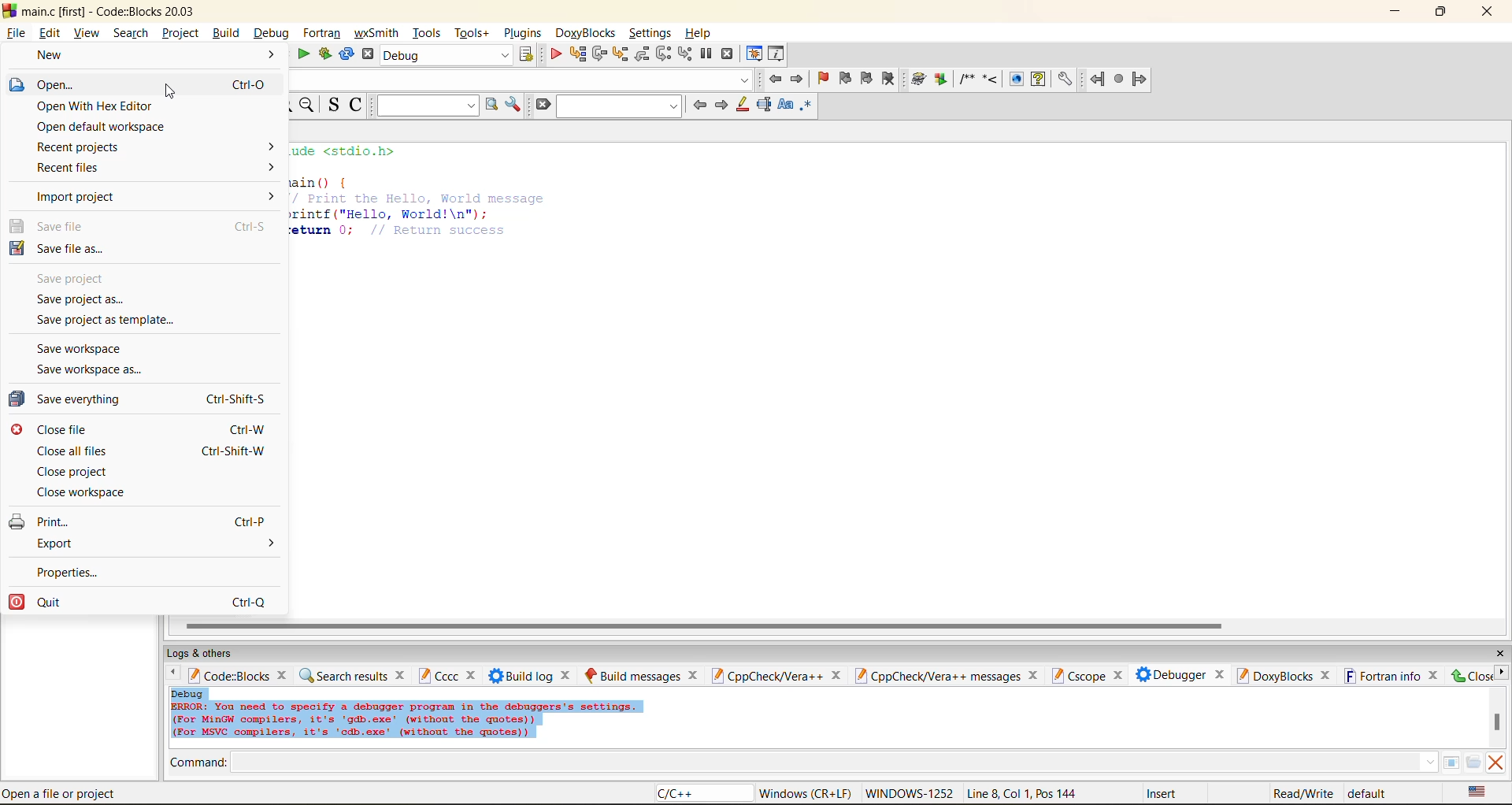 The width and height of the screenshot is (1512, 805). Describe the element at coordinates (1396, 12) in the screenshot. I see `minimize` at that location.